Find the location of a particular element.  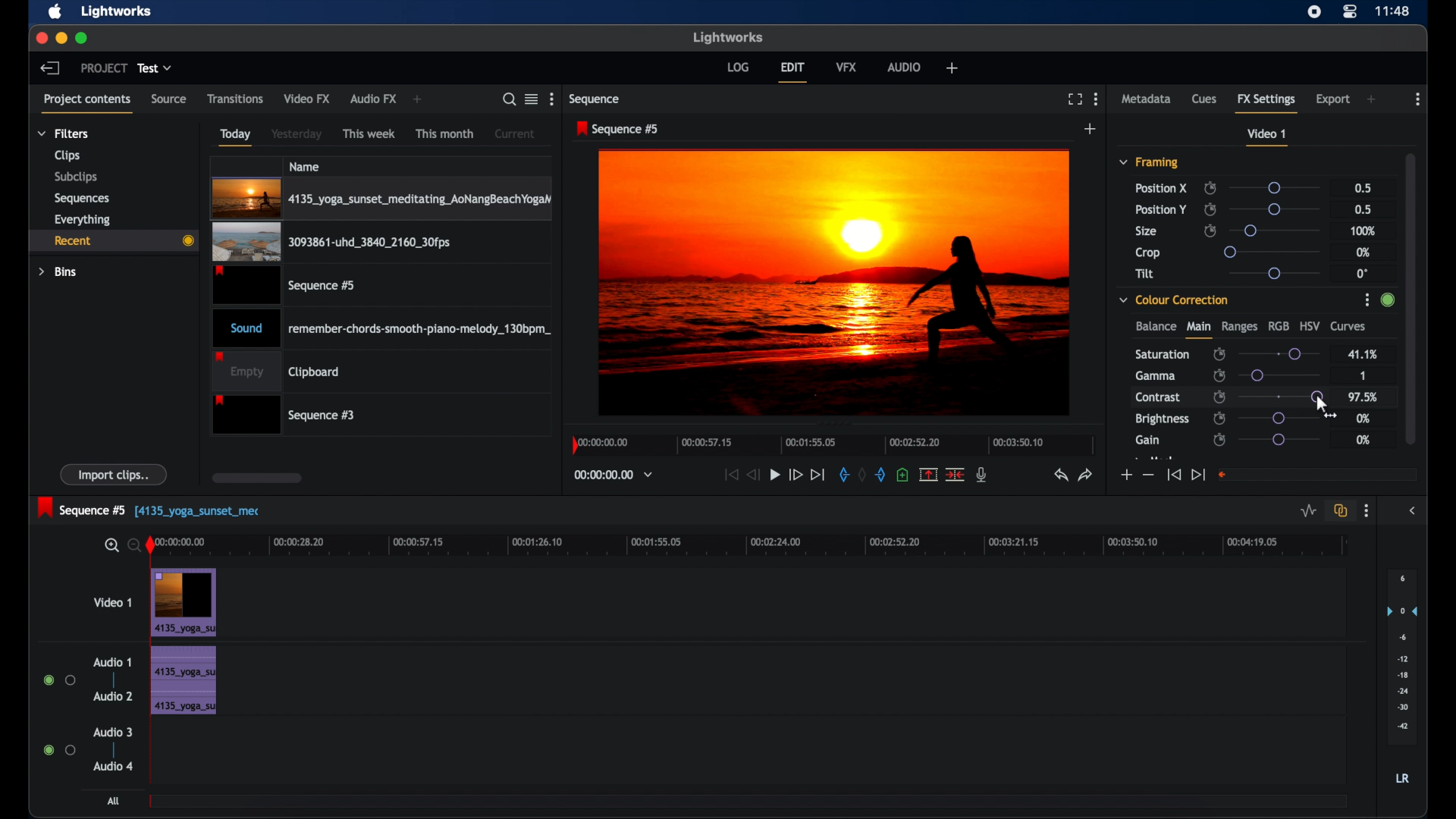

add is located at coordinates (1373, 99).